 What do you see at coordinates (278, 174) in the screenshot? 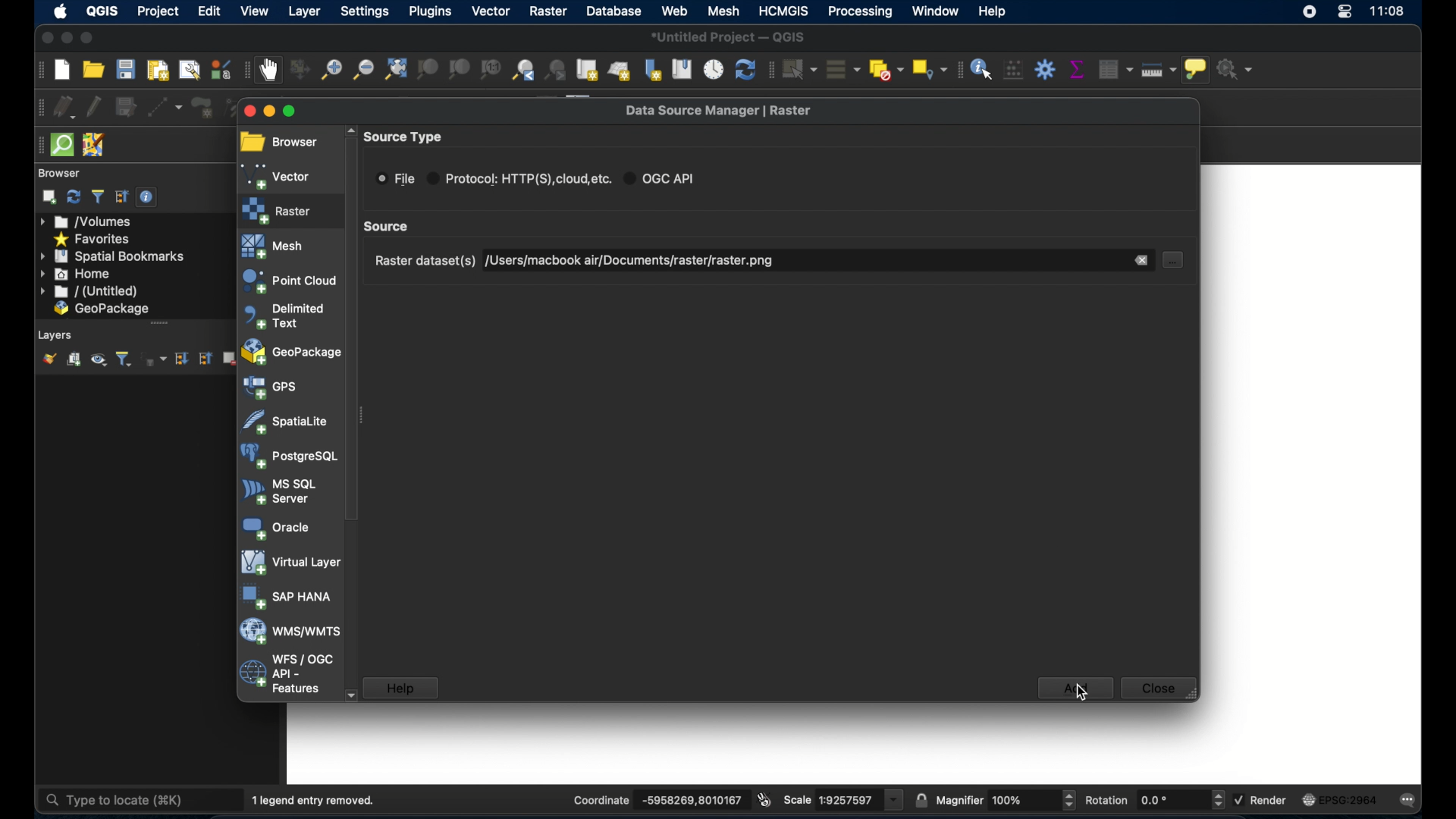
I see `vector` at bounding box center [278, 174].